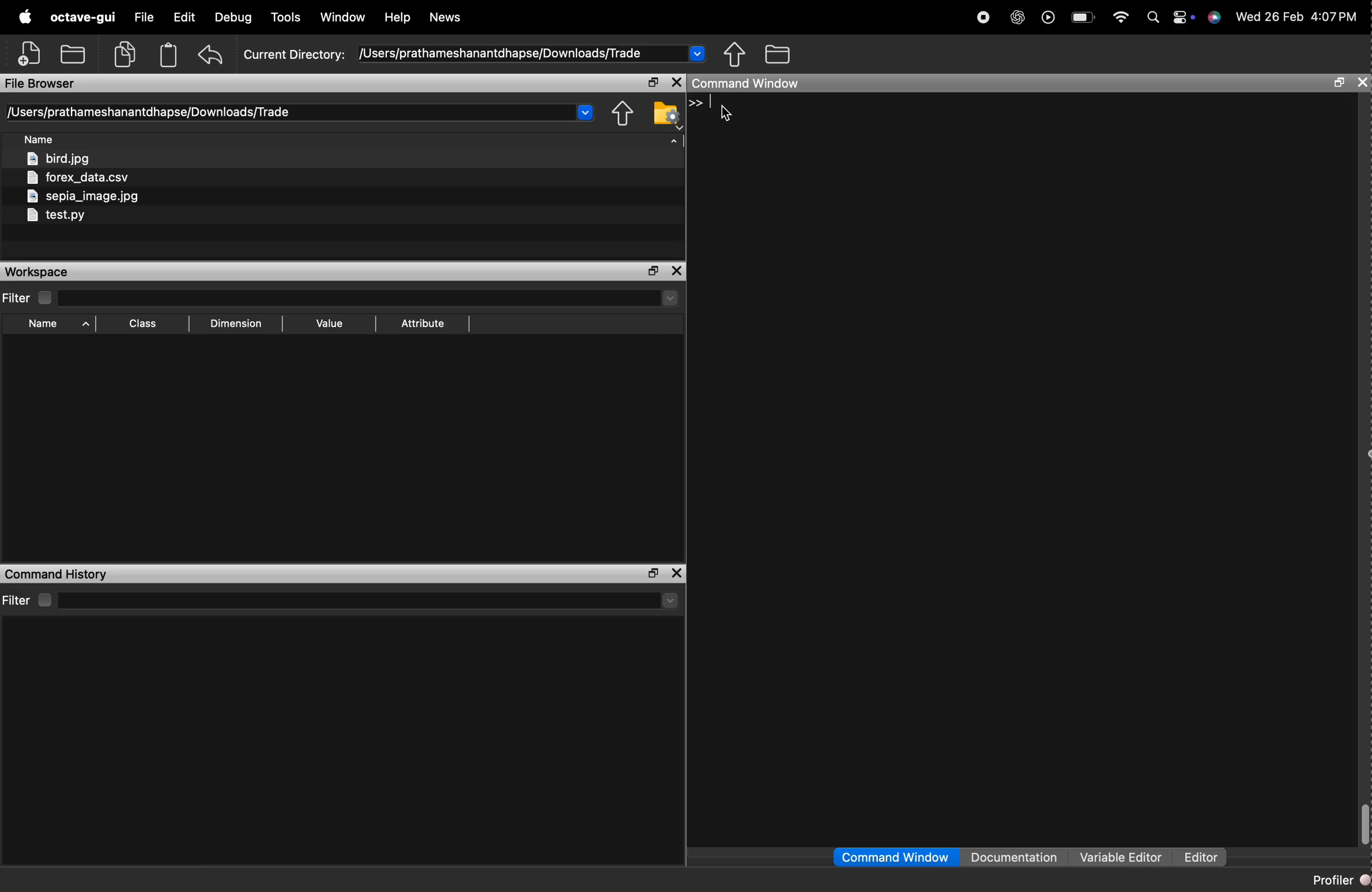 The image size is (1372, 892). Describe the element at coordinates (31, 54) in the screenshot. I see `add file` at that location.